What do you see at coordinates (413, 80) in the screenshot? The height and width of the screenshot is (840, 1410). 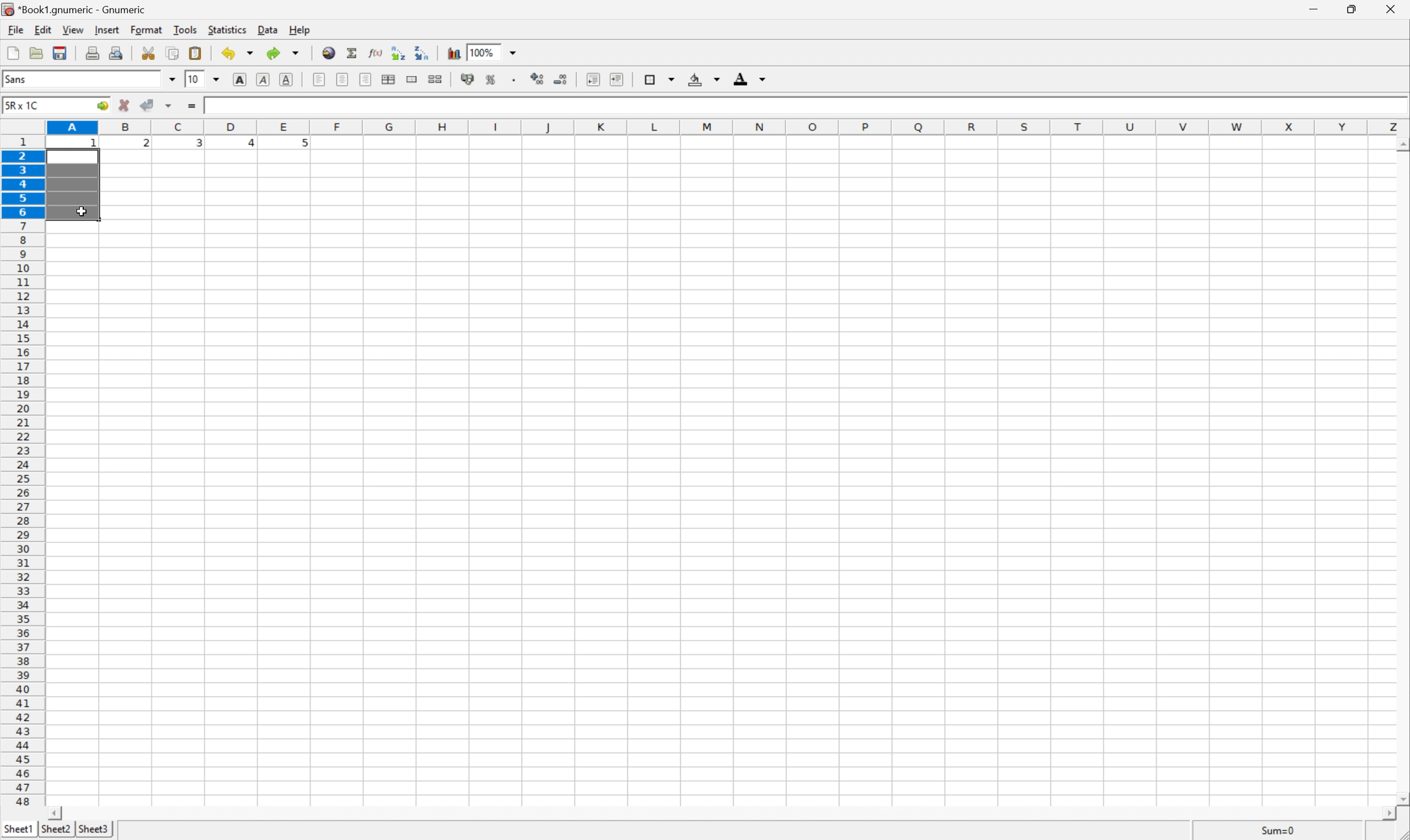 I see `merge a range of cells` at bounding box center [413, 80].